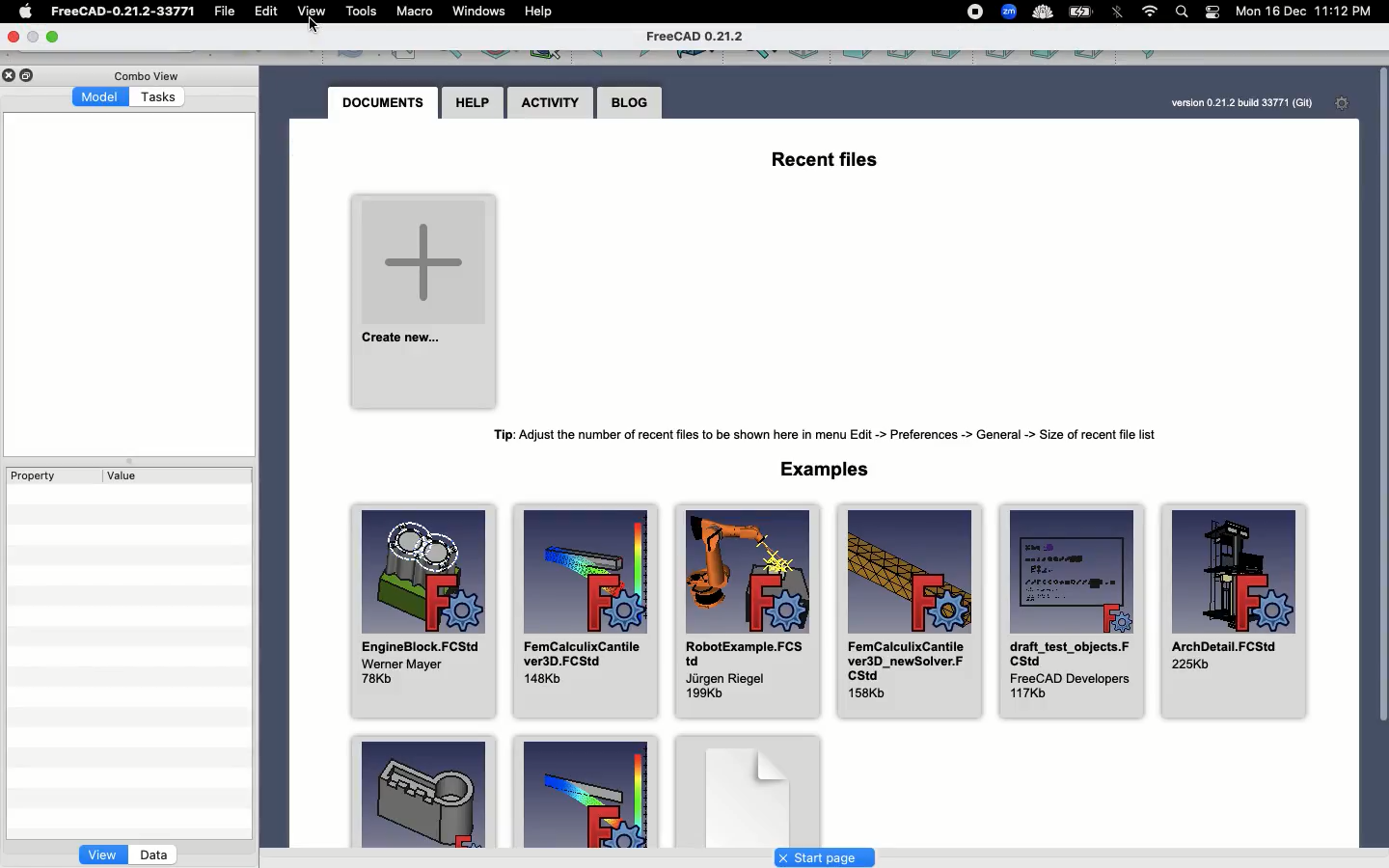 The height and width of the screenshot is (868, 1389). Describe the element at coordinates (749, 786) in the screenshot. I see `Examples` at that location.